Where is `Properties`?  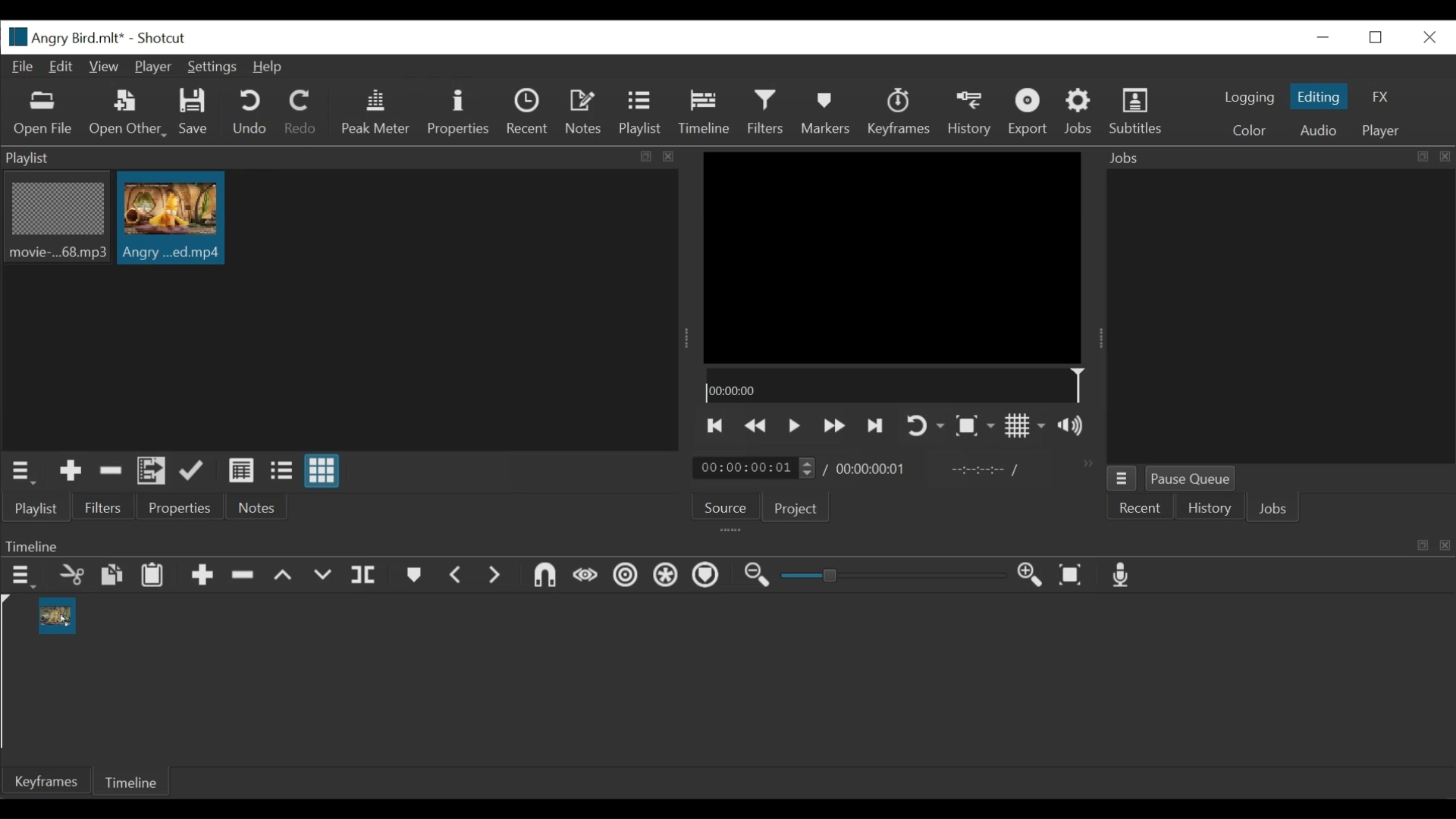 Properties is located at coordinates (457, 114).